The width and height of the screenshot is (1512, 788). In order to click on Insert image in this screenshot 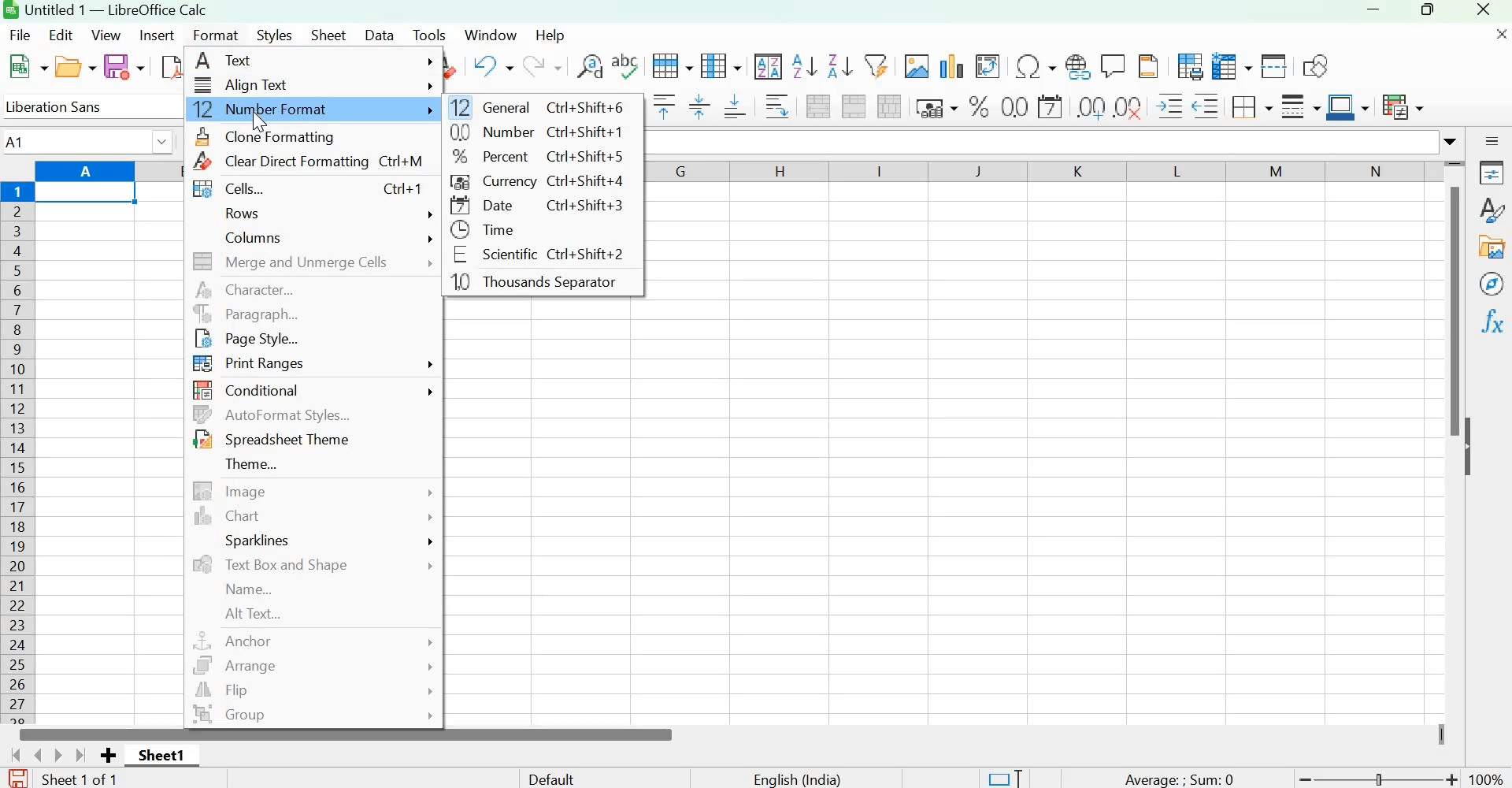, I will do `click(915, 65)`.